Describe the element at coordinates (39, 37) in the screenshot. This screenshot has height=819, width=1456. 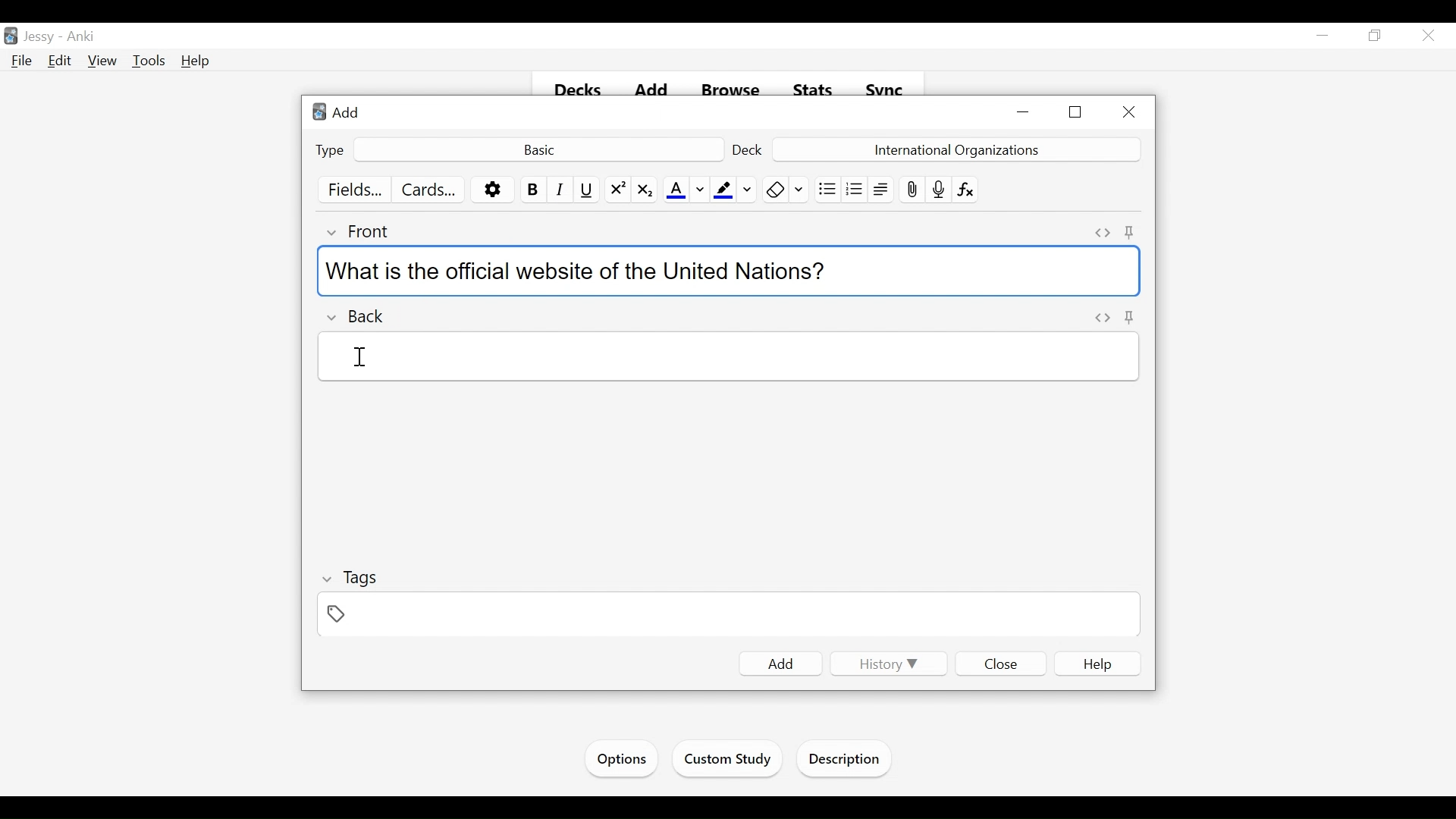
I see `User Name` at that location.